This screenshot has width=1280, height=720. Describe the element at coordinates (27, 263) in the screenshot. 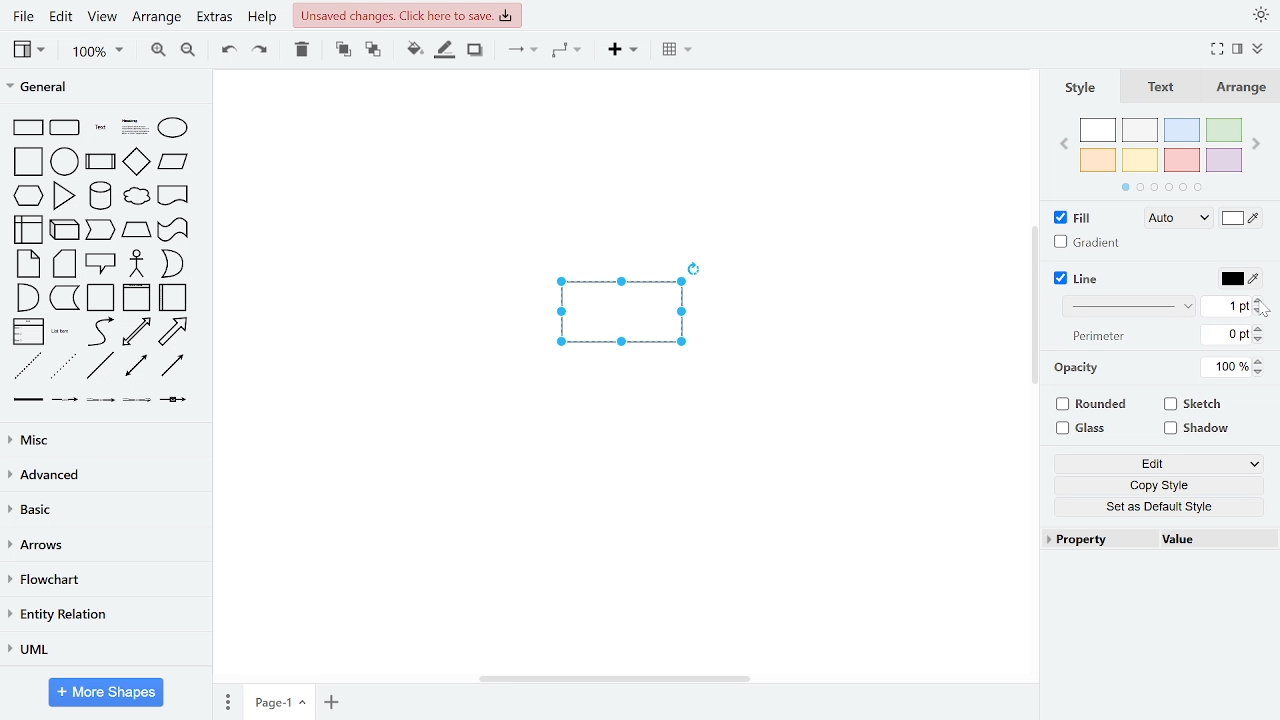

I see `general shapes` at that location.